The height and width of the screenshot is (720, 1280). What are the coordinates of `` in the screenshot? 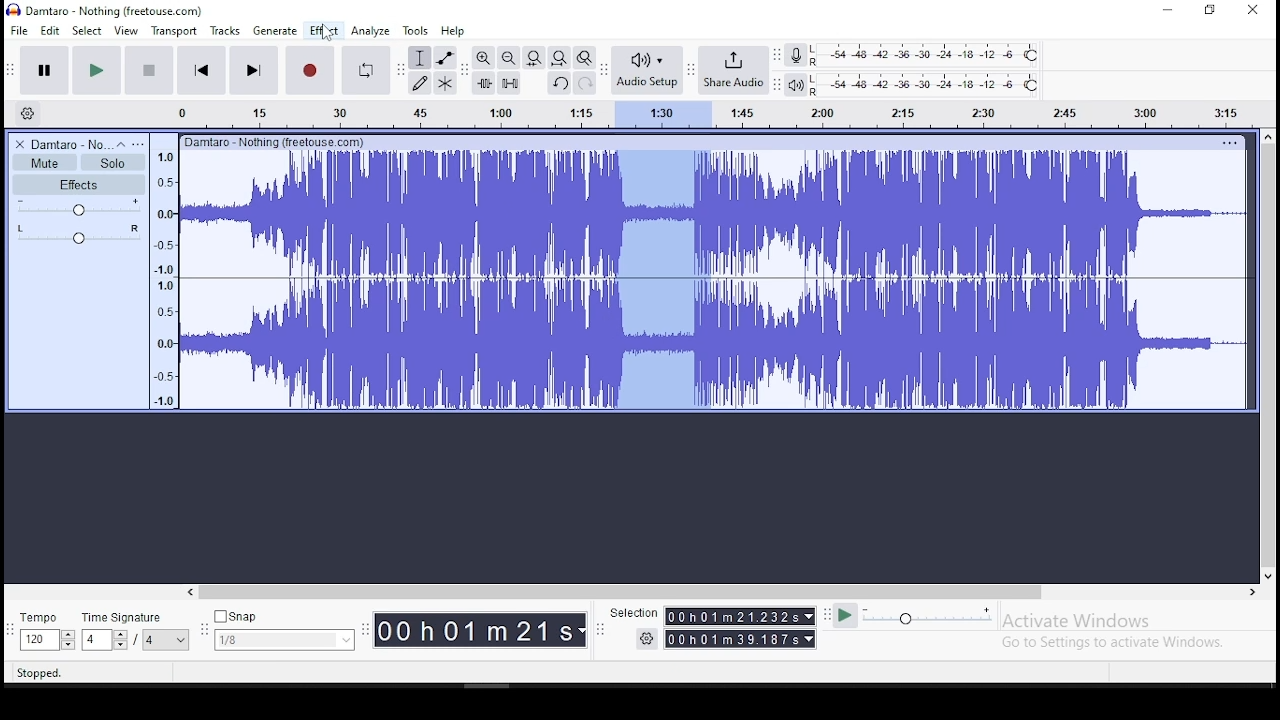 It's located at (165, 279).